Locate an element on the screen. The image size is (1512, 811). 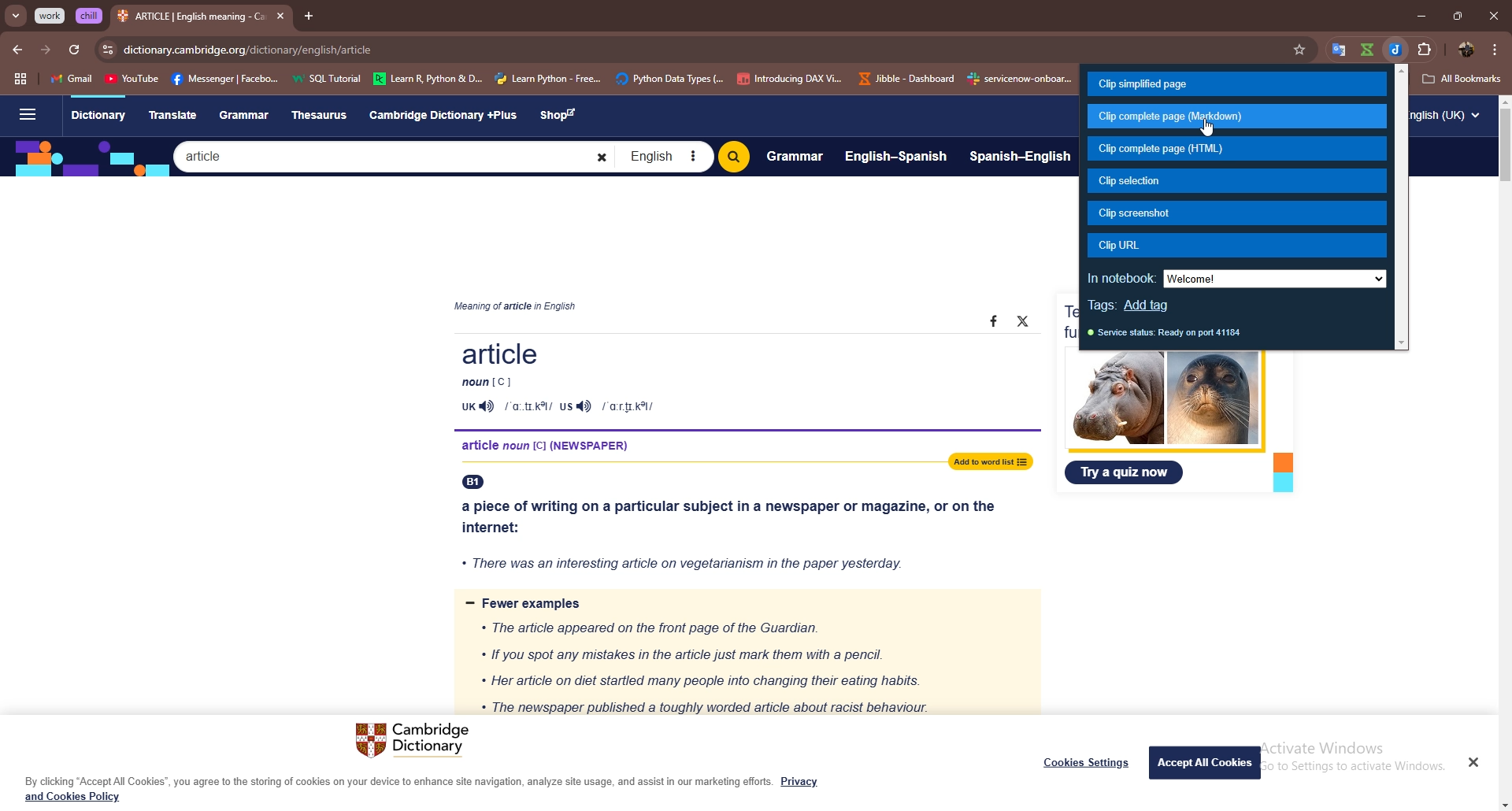
in notebook is located at coordinates (1235, 278).